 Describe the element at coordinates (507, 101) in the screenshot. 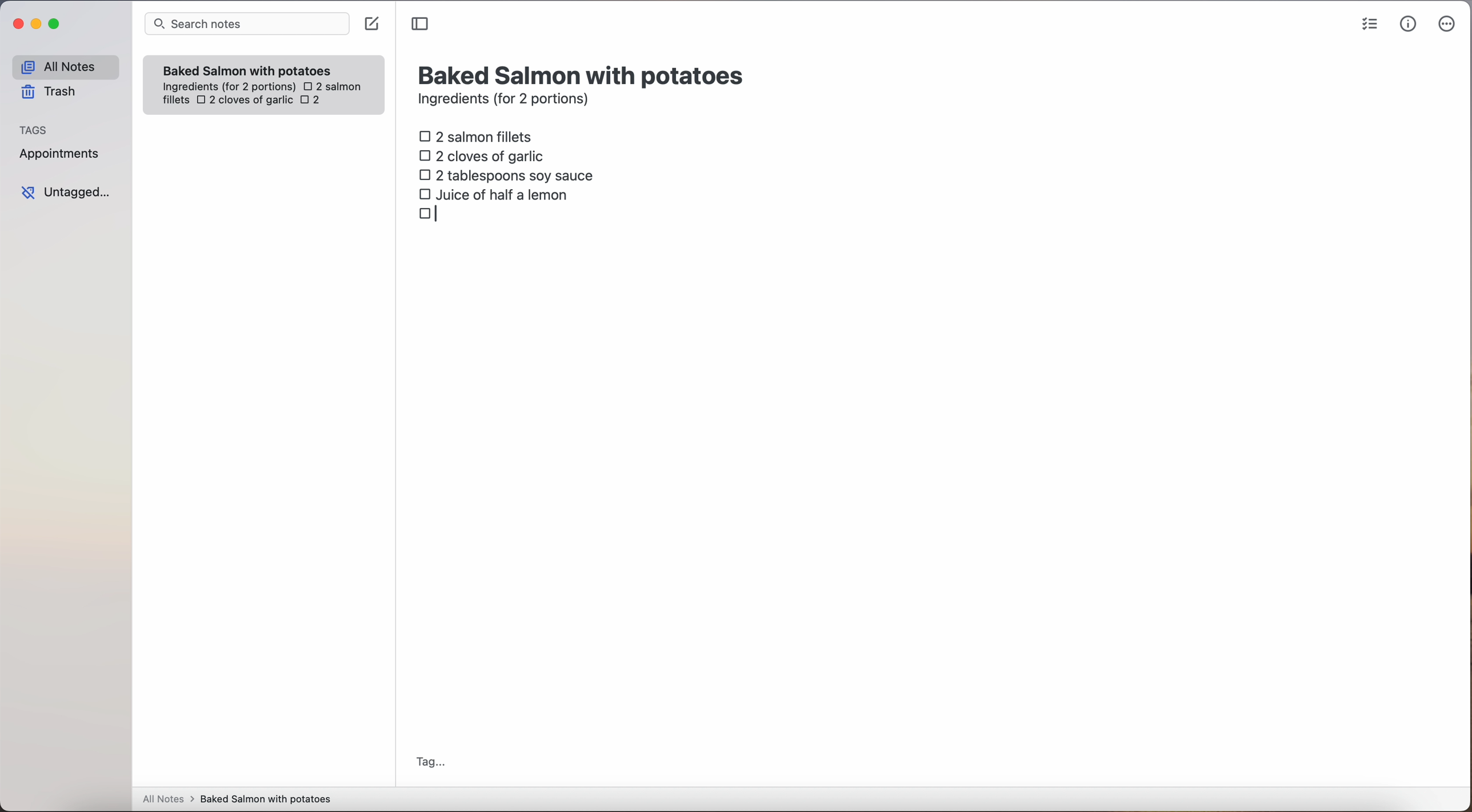

I see `ingredients (for 2 portions)` at that location.